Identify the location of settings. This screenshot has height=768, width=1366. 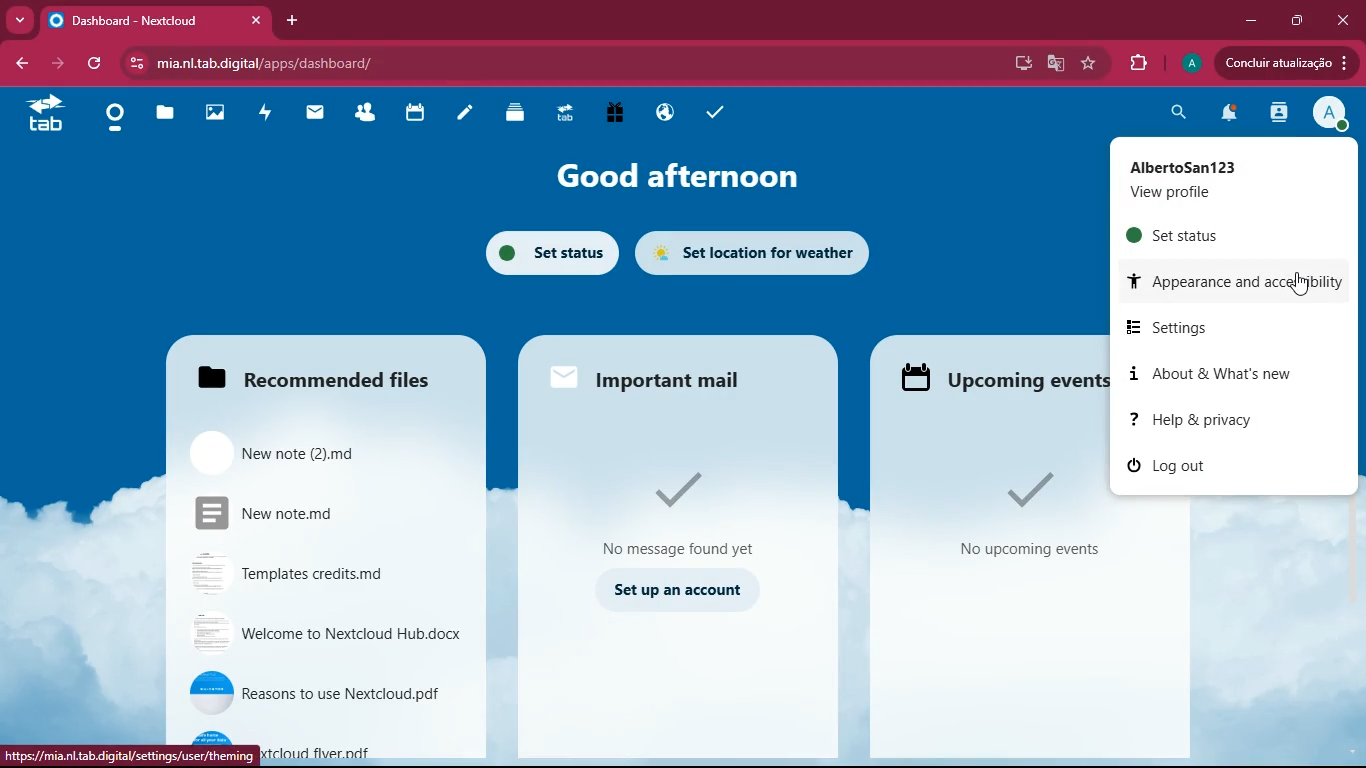
(1213, 323).